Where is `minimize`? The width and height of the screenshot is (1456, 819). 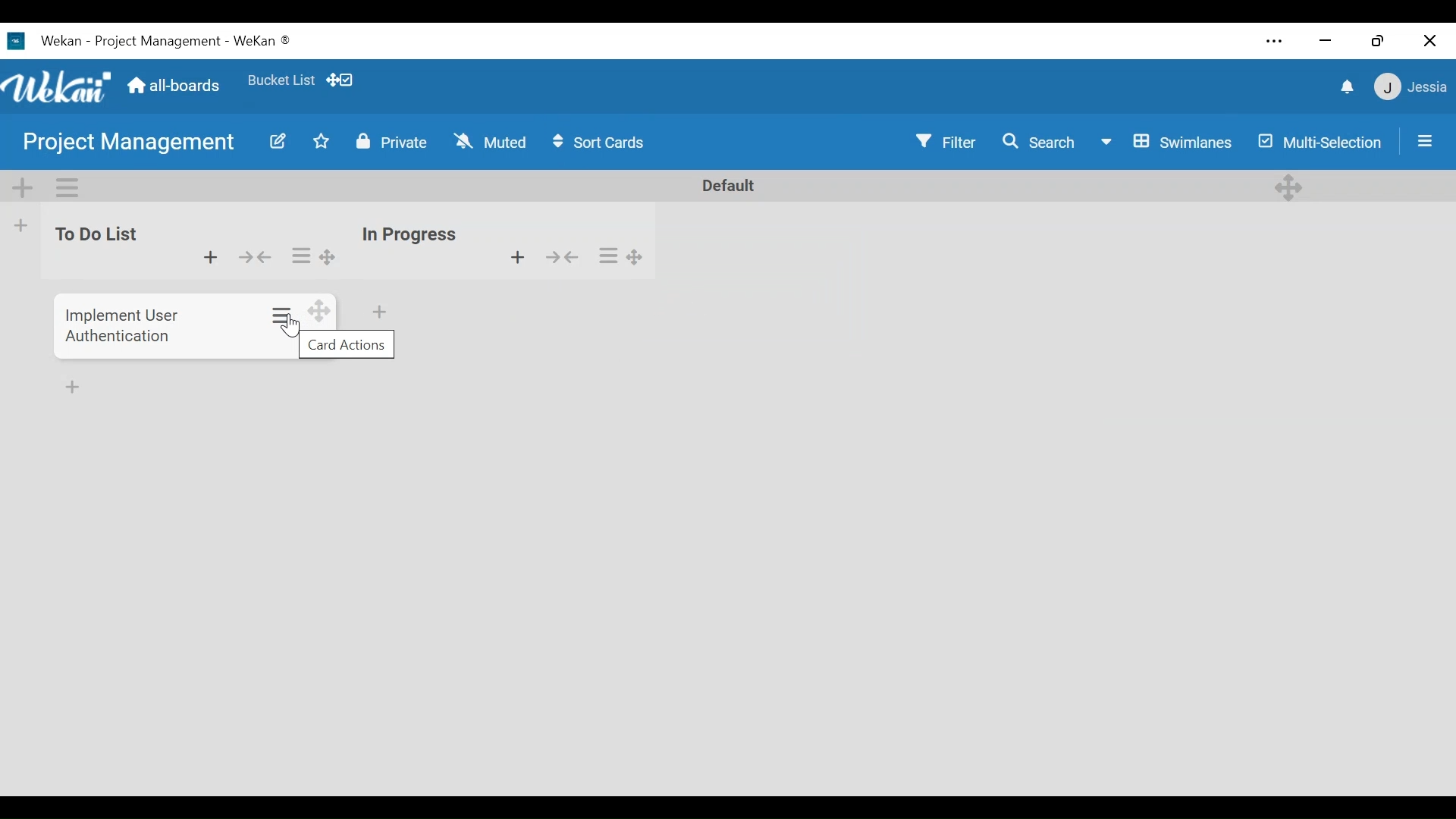 minimize is located at coordinates (1325, 42).